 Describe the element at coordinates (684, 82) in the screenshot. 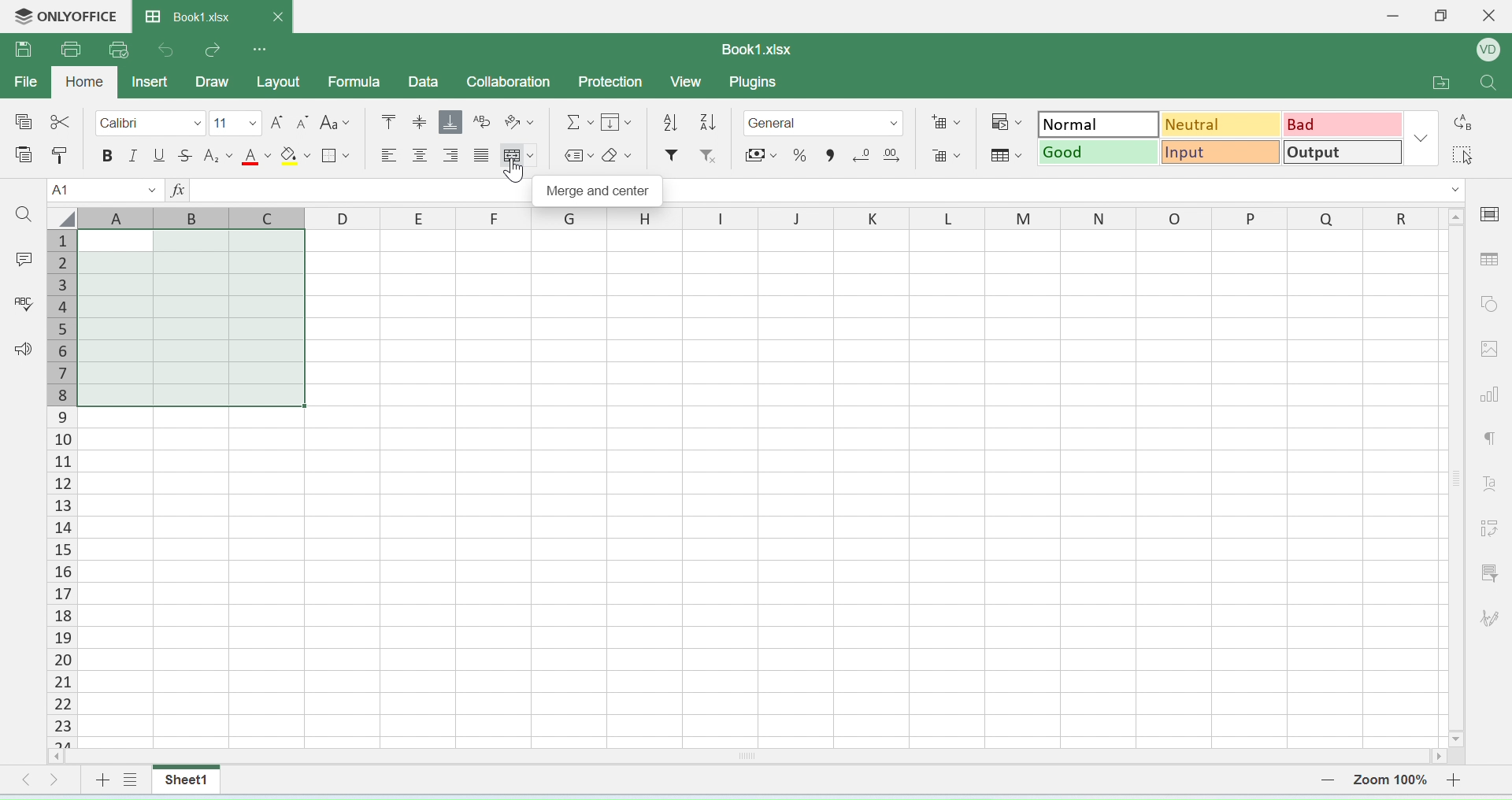

I see `view` at that location.